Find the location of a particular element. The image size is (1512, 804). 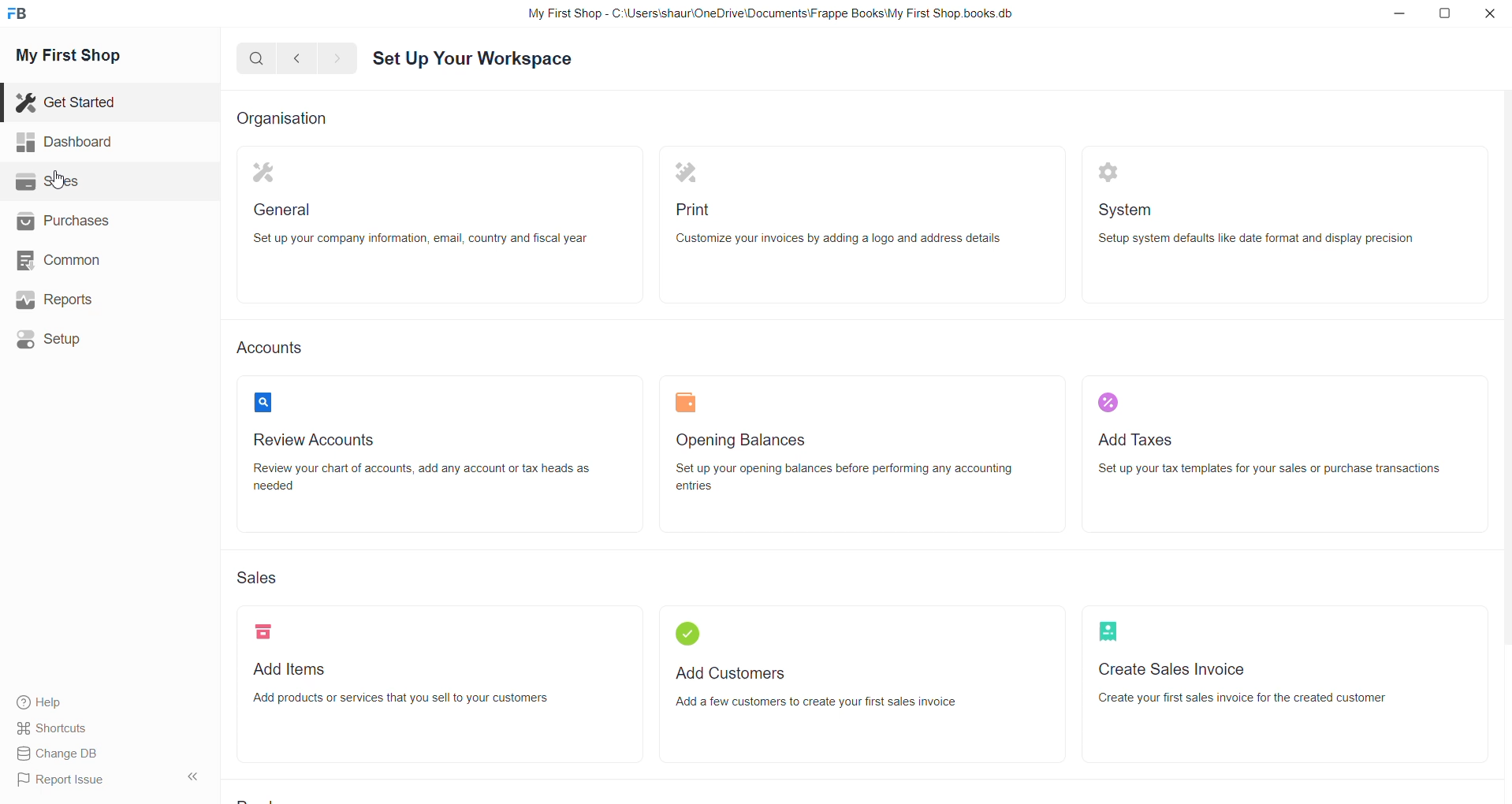

Setup is located at coordinates (53, 341).